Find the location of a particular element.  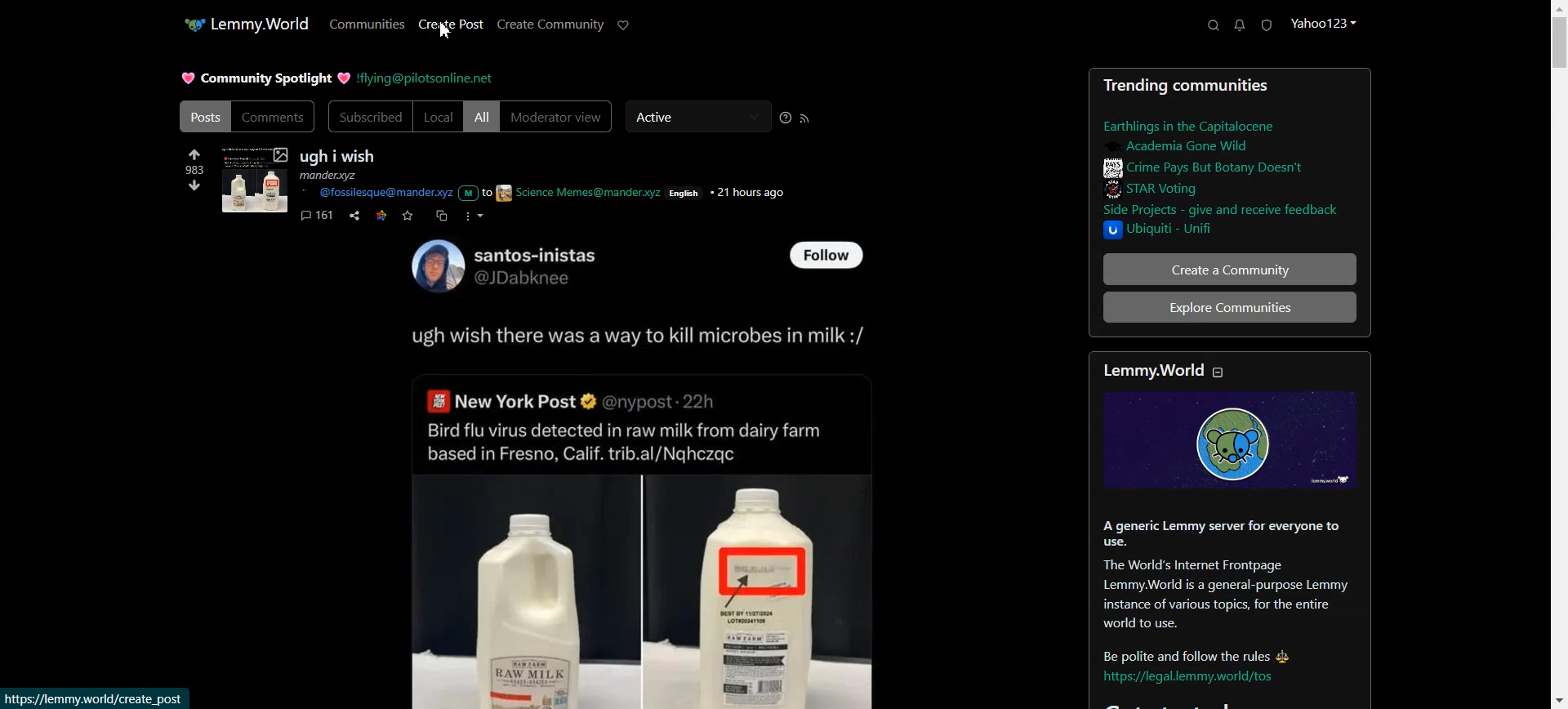

Posts is located at coordinates (645, 537).